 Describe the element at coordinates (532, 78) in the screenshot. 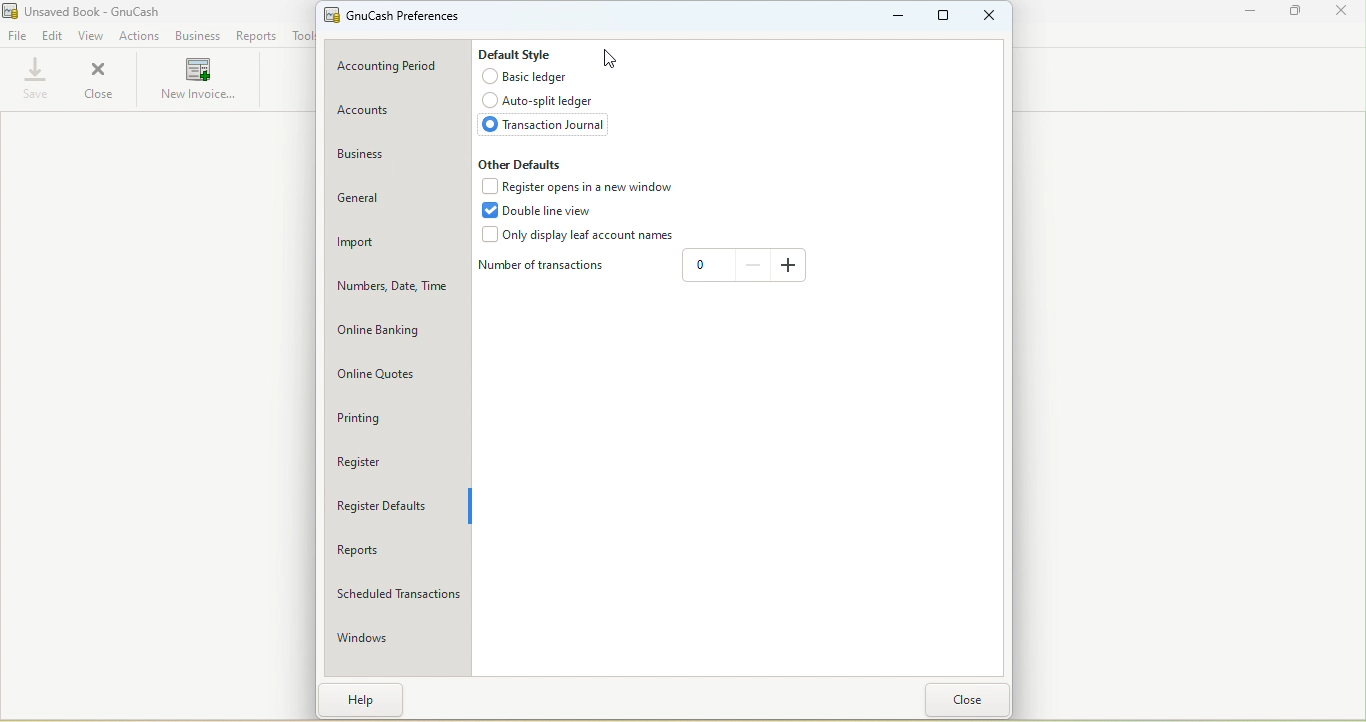

I see `Basic ledger` at that location.